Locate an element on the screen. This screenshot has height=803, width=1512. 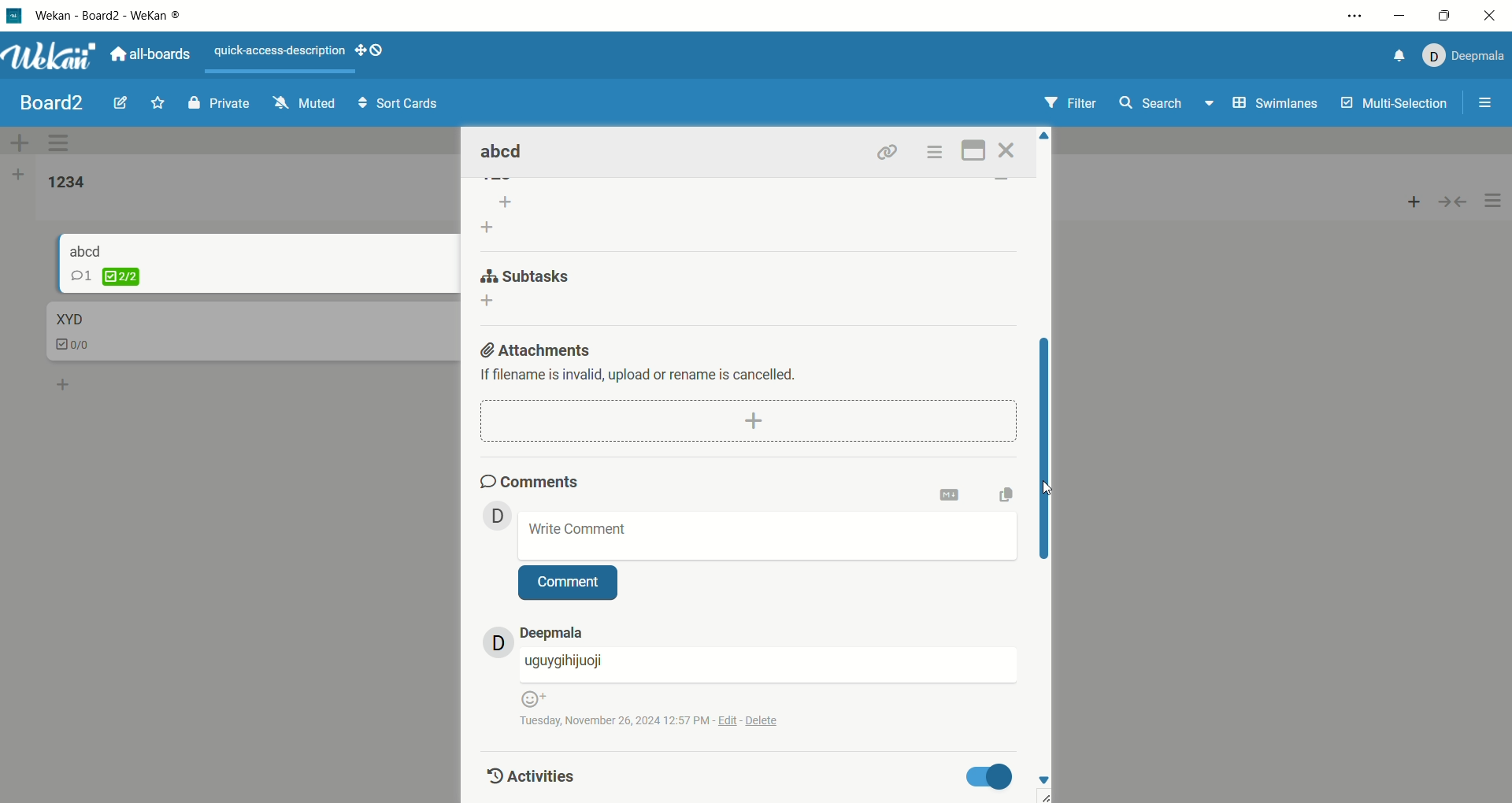
comment is located at coordinates (569, 583).